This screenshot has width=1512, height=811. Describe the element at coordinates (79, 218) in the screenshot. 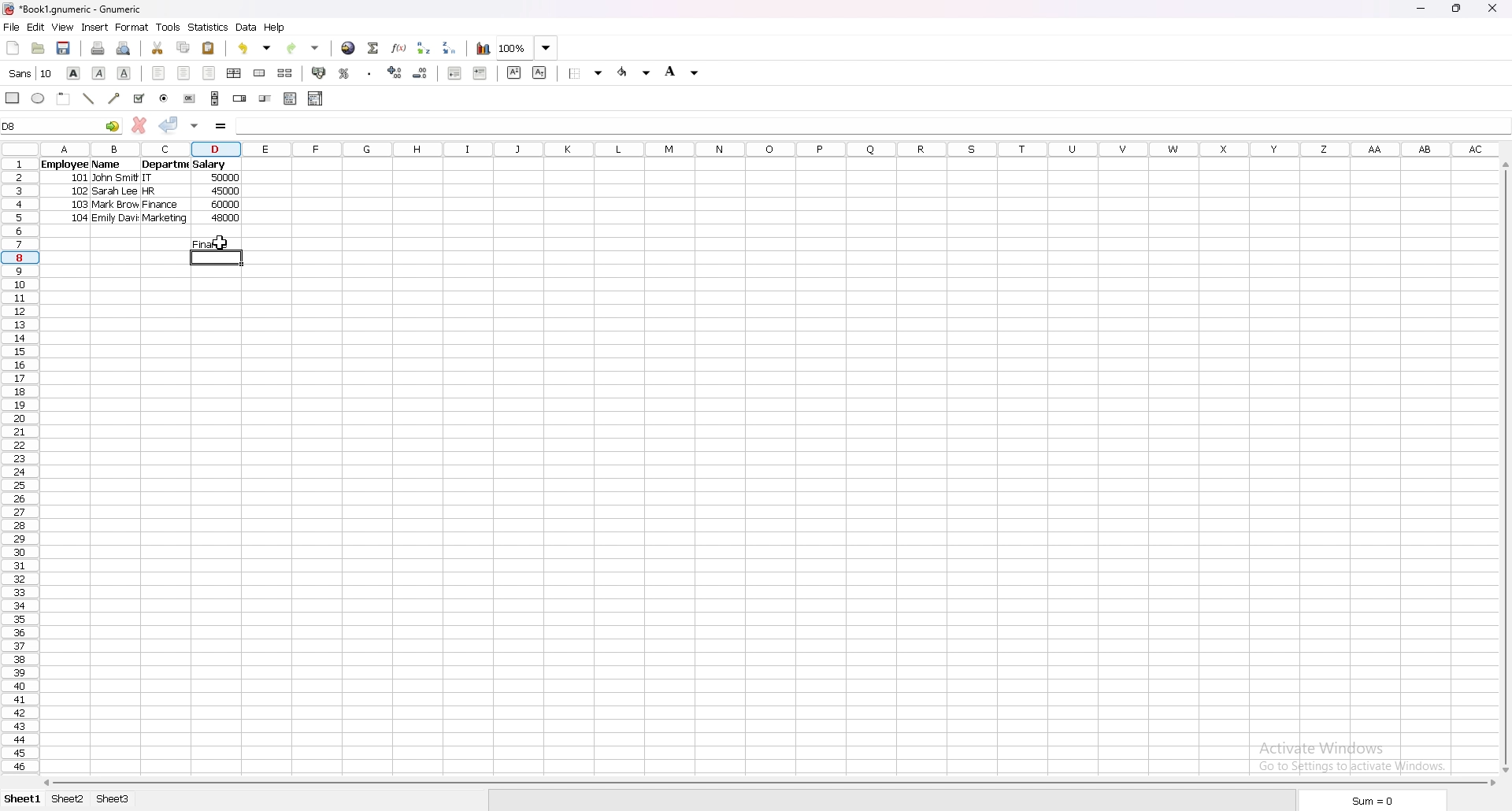

I see `104` at that location.